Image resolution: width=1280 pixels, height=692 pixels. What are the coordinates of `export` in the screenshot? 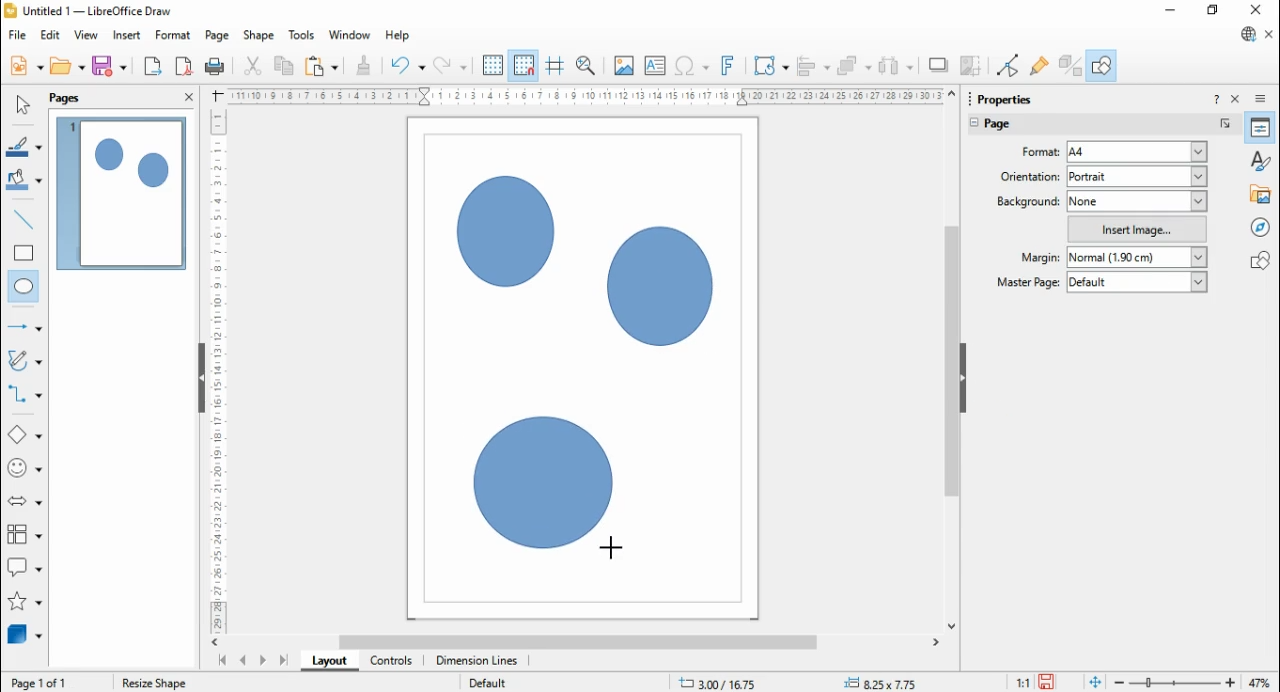 It's located at (152, 66).